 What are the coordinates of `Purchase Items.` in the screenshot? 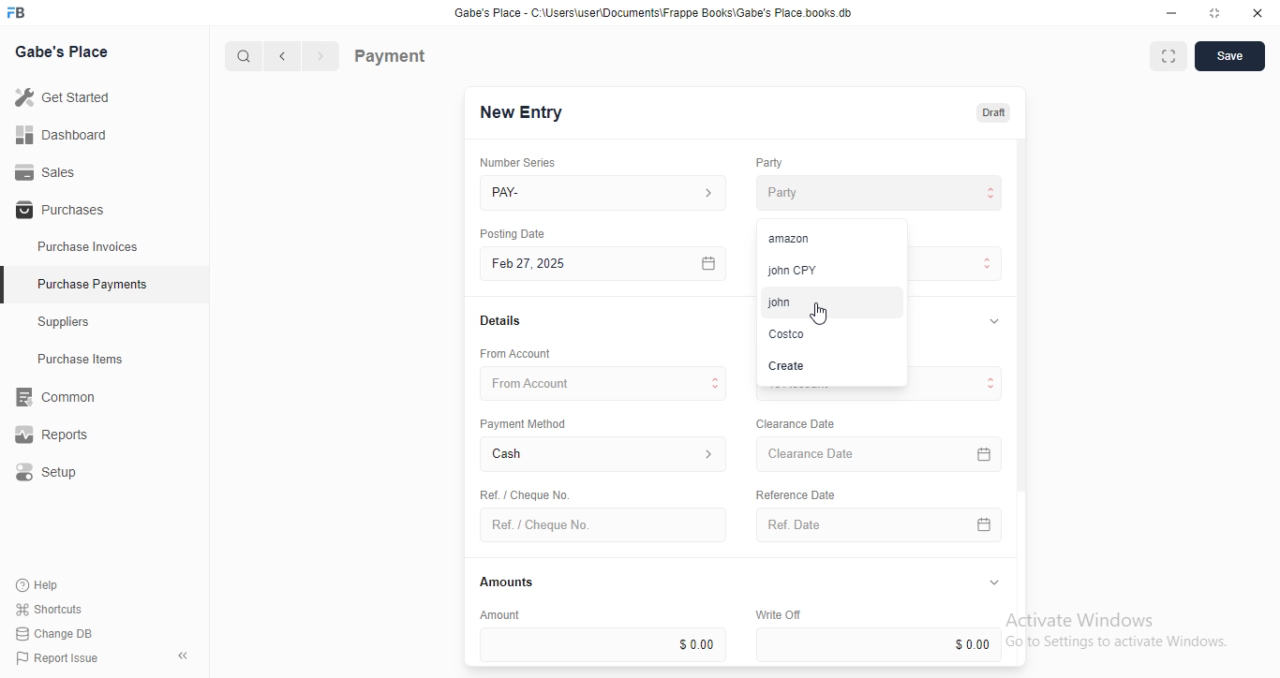 It's located at (87, 361).